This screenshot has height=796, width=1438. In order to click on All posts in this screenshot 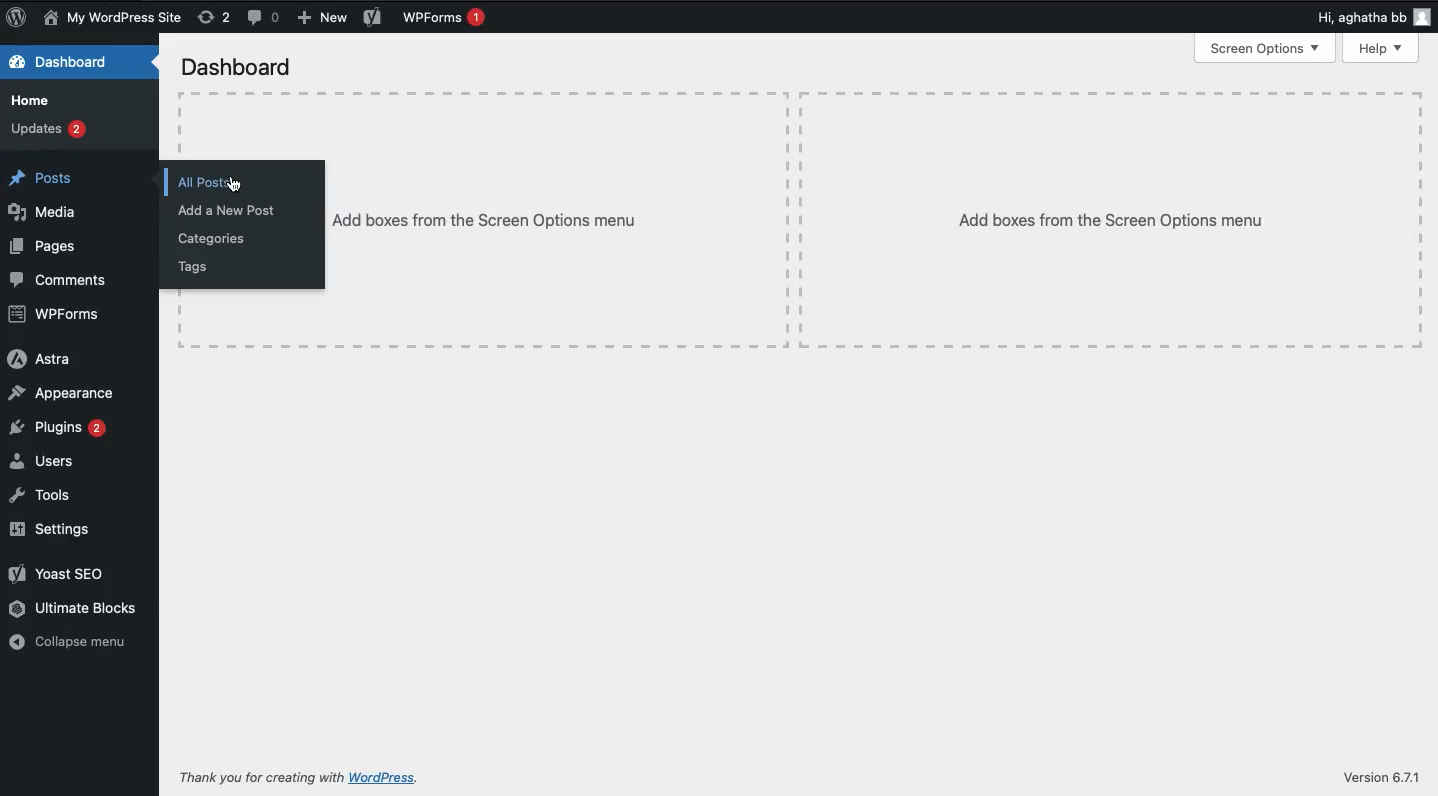, I will do `click(203, 184)`.